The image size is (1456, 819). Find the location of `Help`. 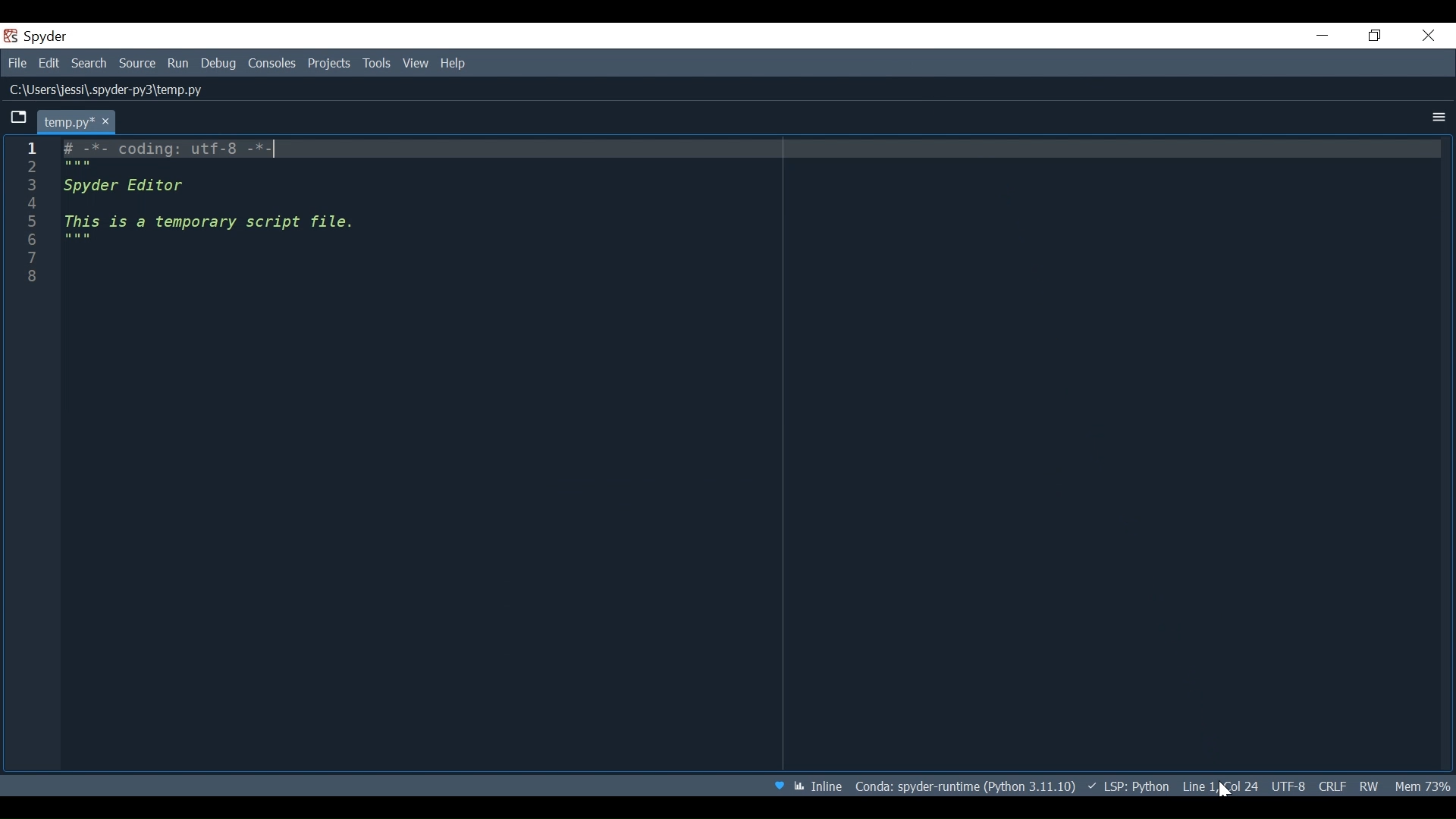

Help is located at coordinates (456, 64).